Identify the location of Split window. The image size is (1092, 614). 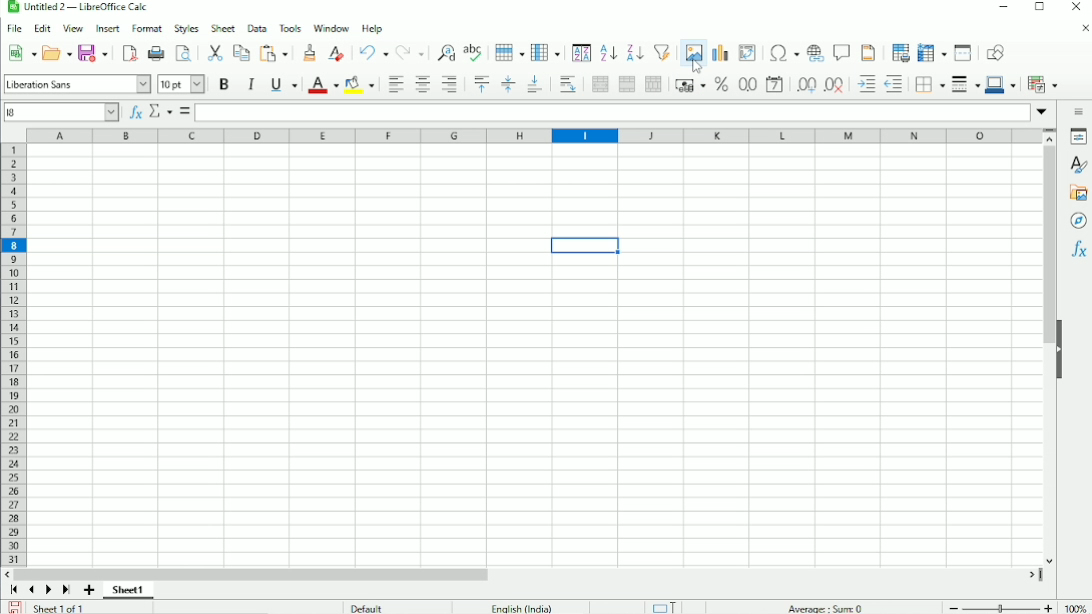
(963, 53).